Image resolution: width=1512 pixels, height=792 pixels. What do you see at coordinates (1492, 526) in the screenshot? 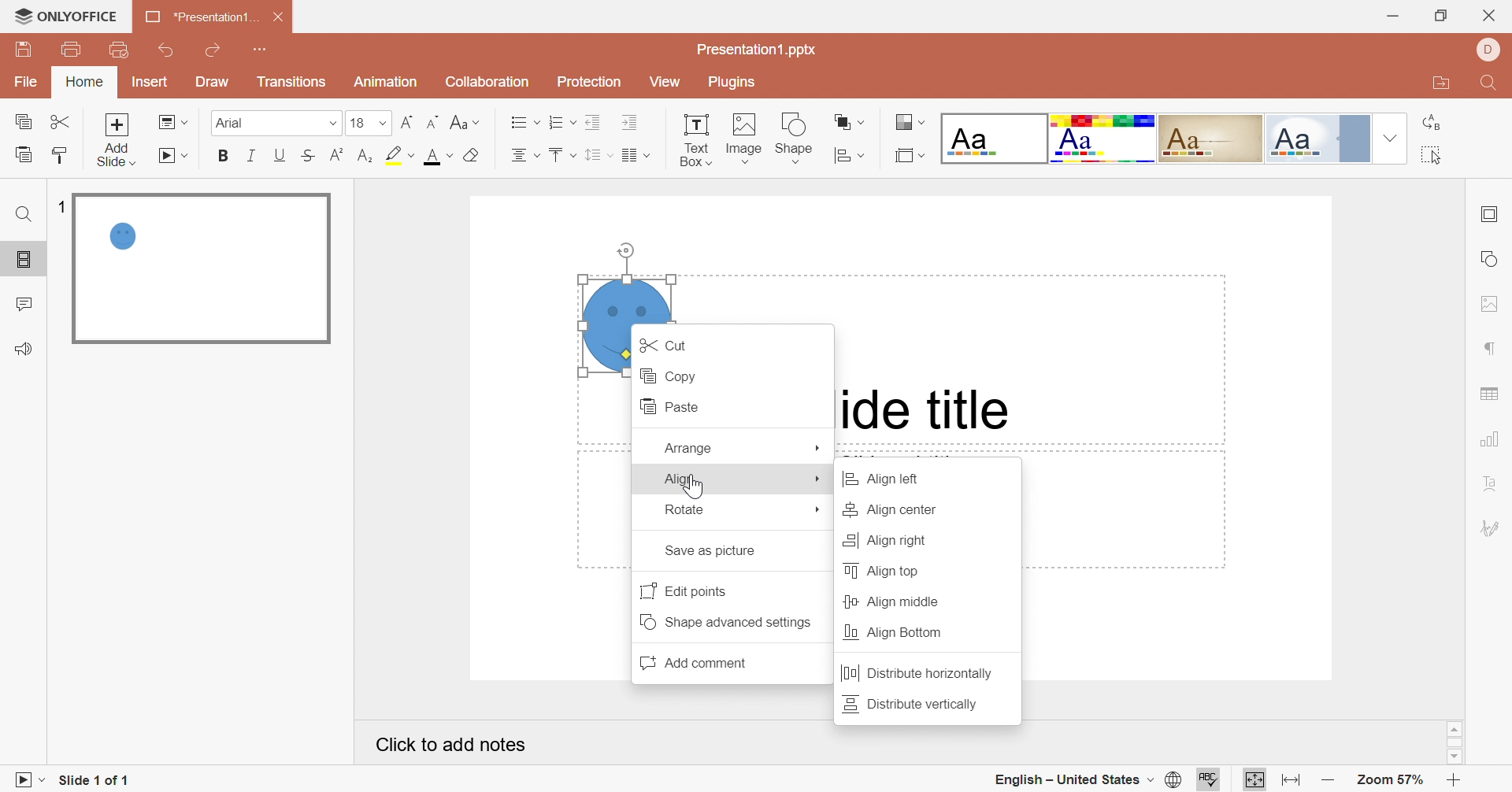
I see `Signature settings` at bounding box center [1492, 526].